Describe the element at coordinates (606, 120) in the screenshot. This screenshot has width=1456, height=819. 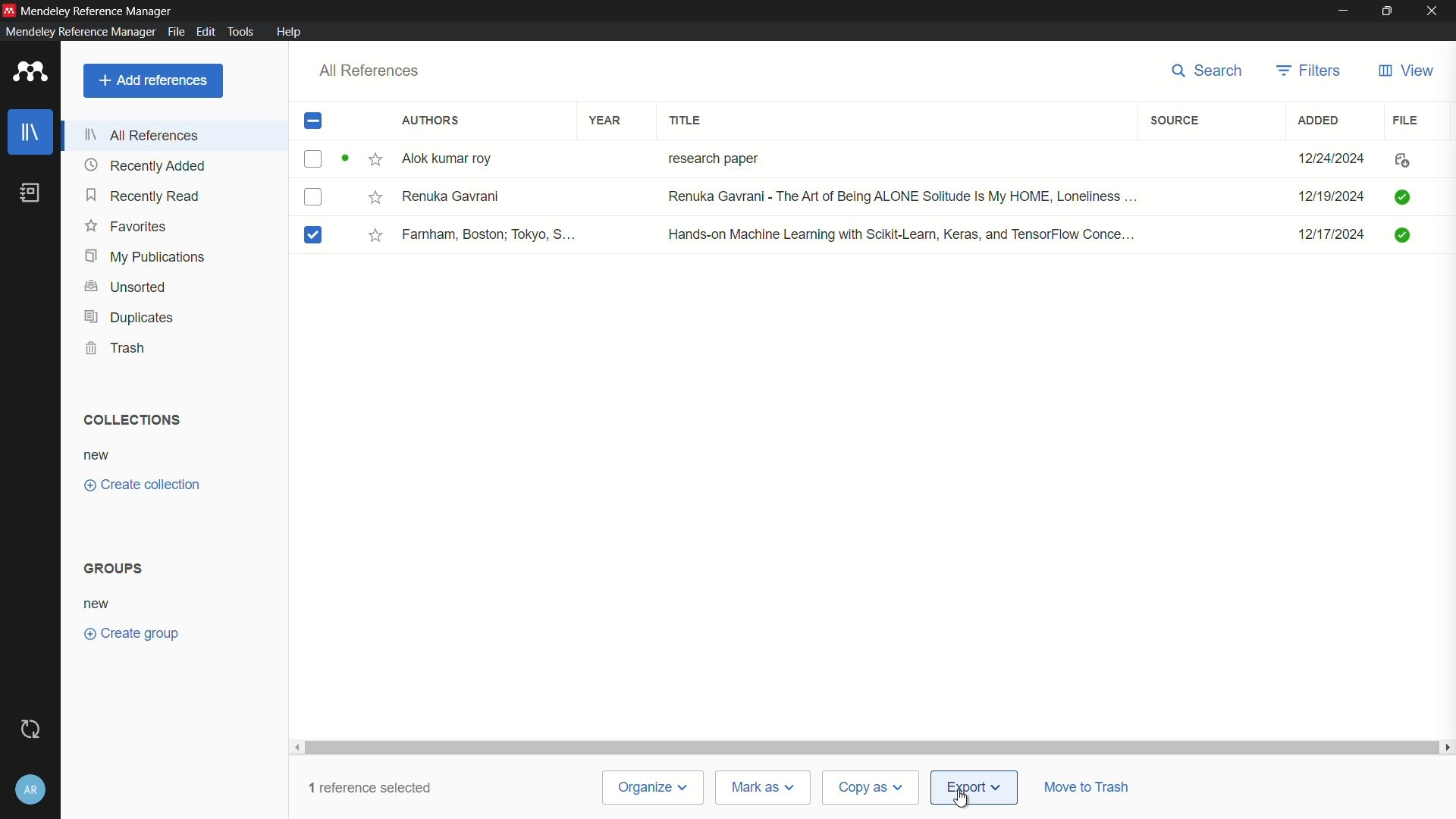
I see `year` at that location.